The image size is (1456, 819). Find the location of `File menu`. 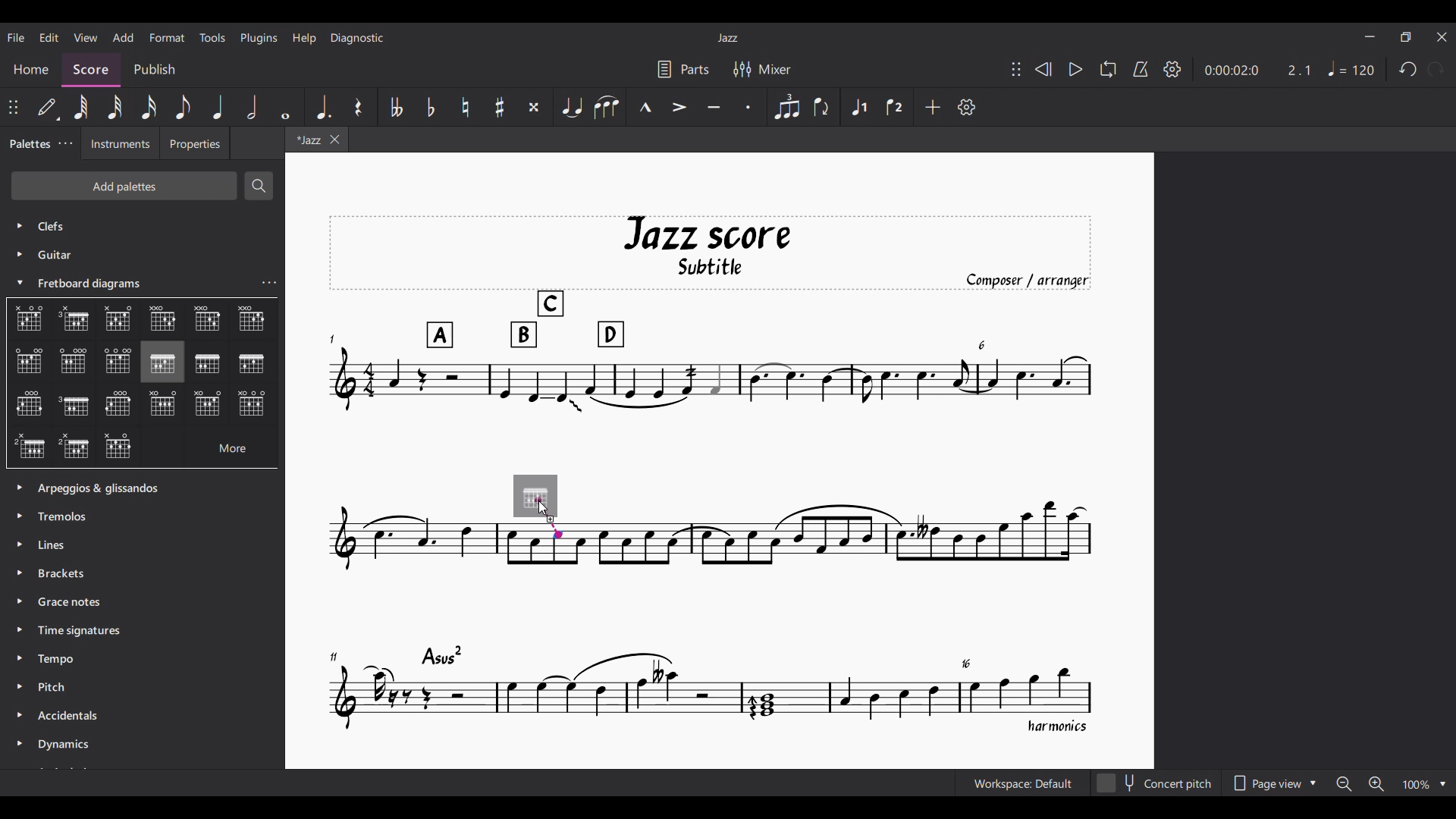

File menu is located at coordinates (15, 37).